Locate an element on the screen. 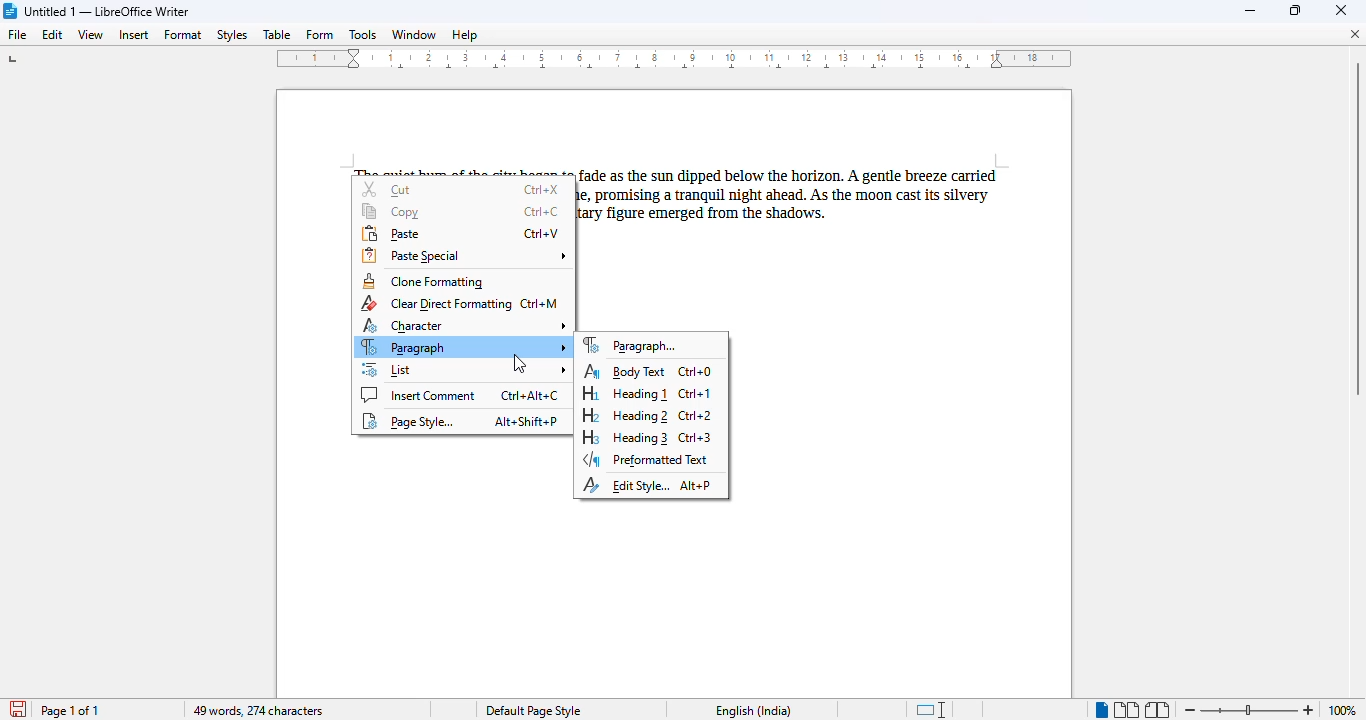  format is located at coordinates (184, 34).